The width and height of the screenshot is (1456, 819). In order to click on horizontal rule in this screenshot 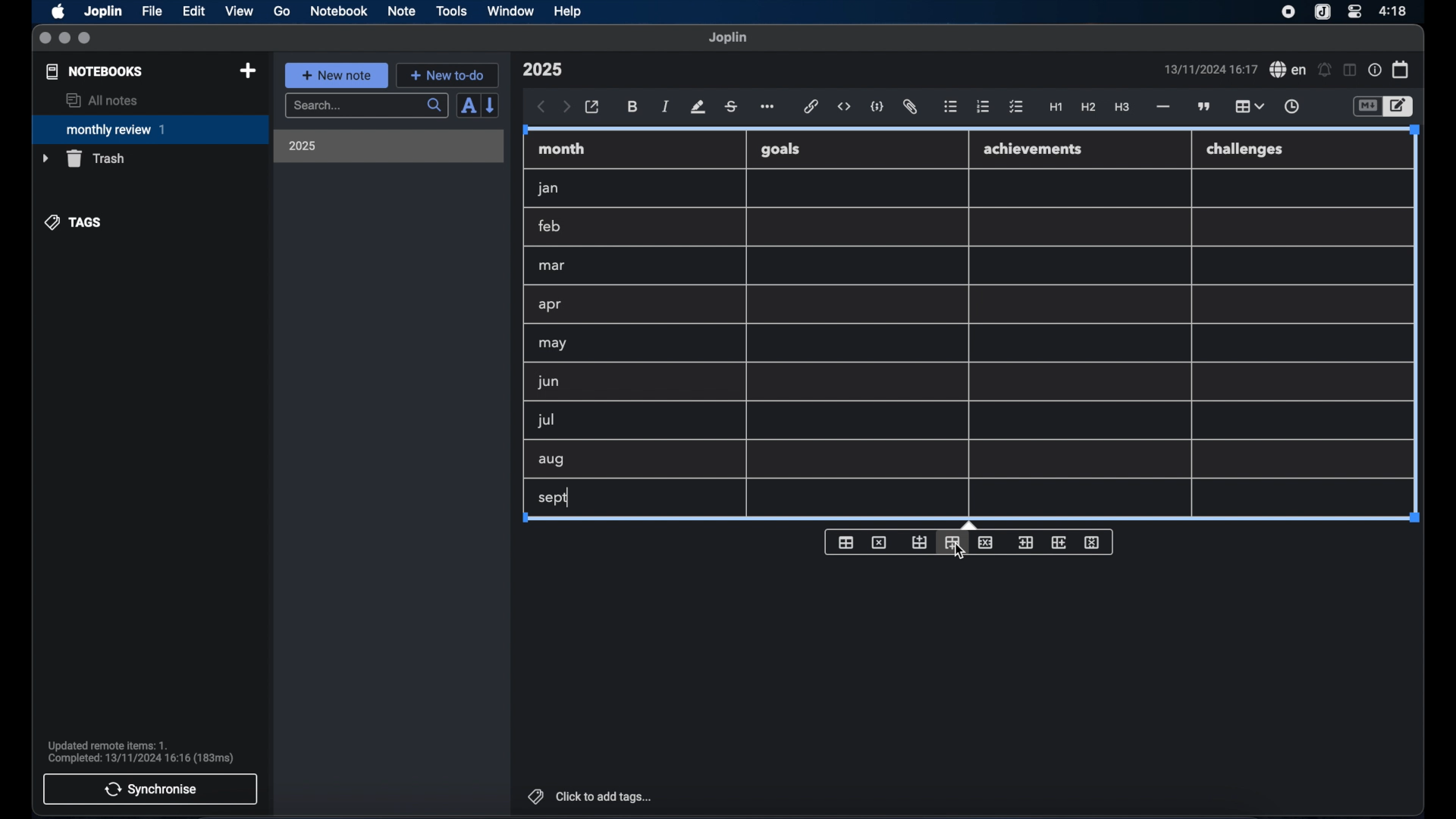, I will do `click(1162, 107)`.